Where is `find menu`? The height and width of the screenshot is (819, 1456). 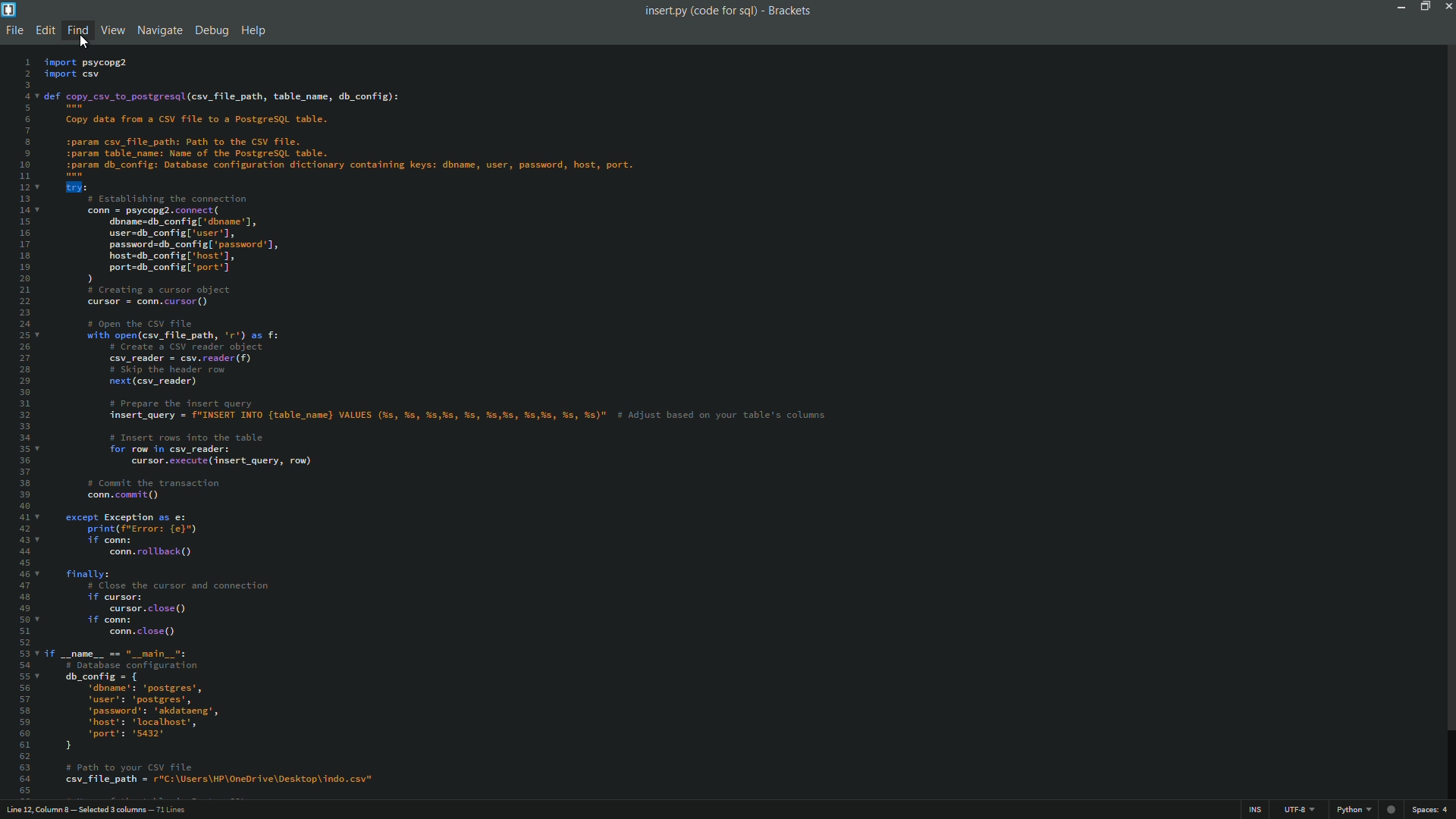
find menu is located at coordinates (76, 30).